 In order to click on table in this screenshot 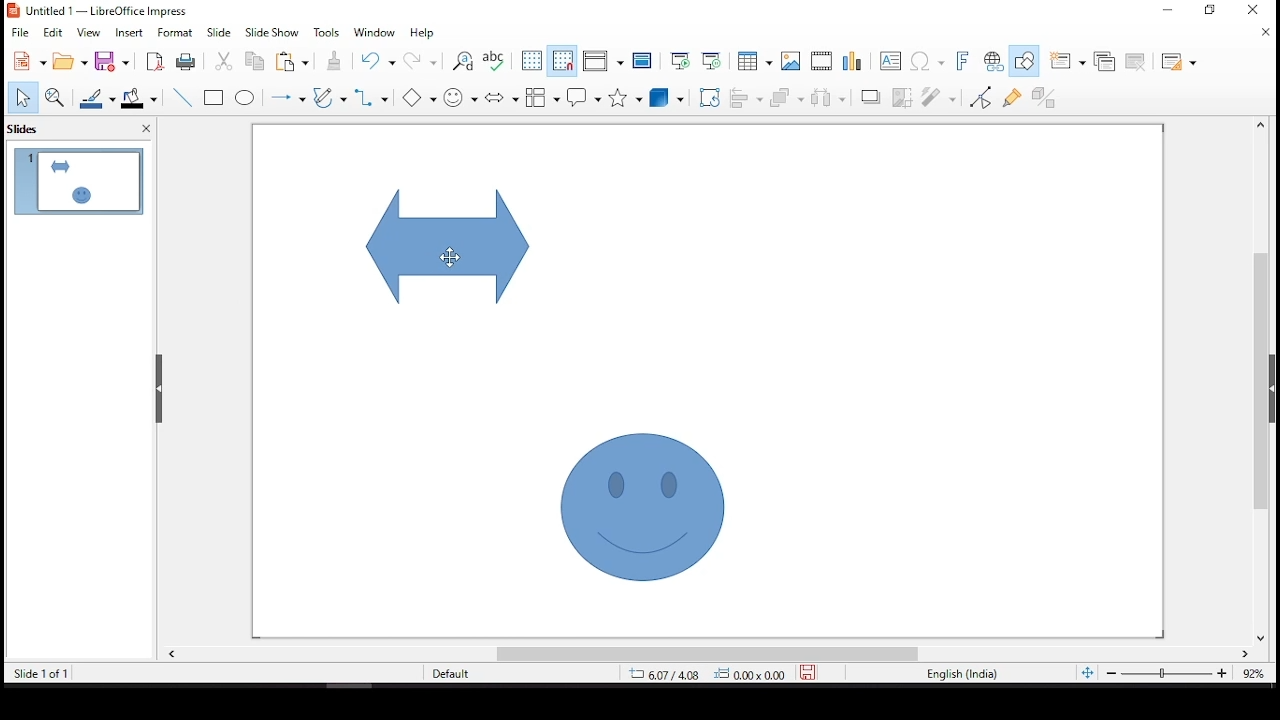, I will do `click(755, 62)`.